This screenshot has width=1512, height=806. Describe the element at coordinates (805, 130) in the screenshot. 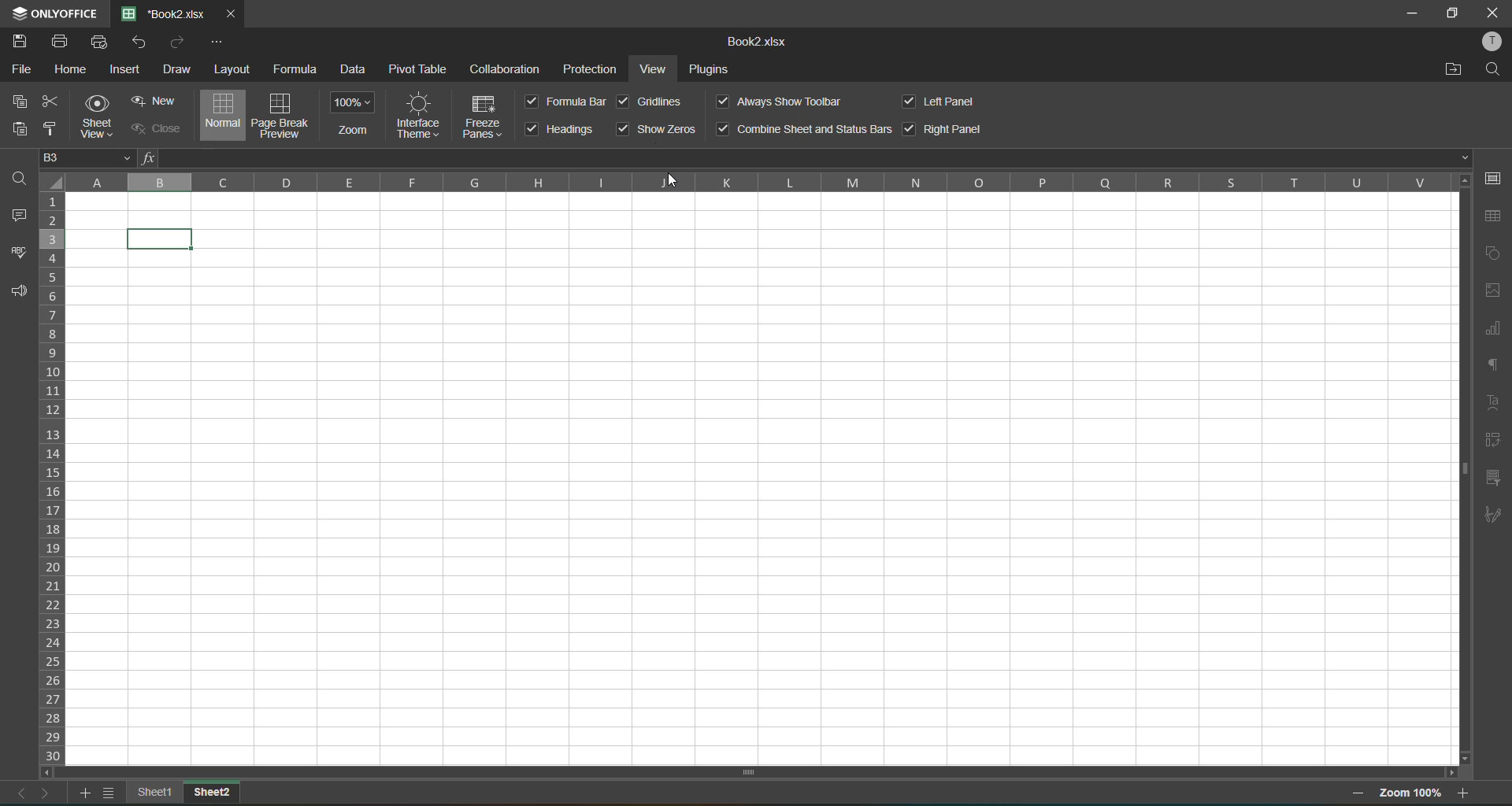

I see `combine sheet and status  bars` at that location.